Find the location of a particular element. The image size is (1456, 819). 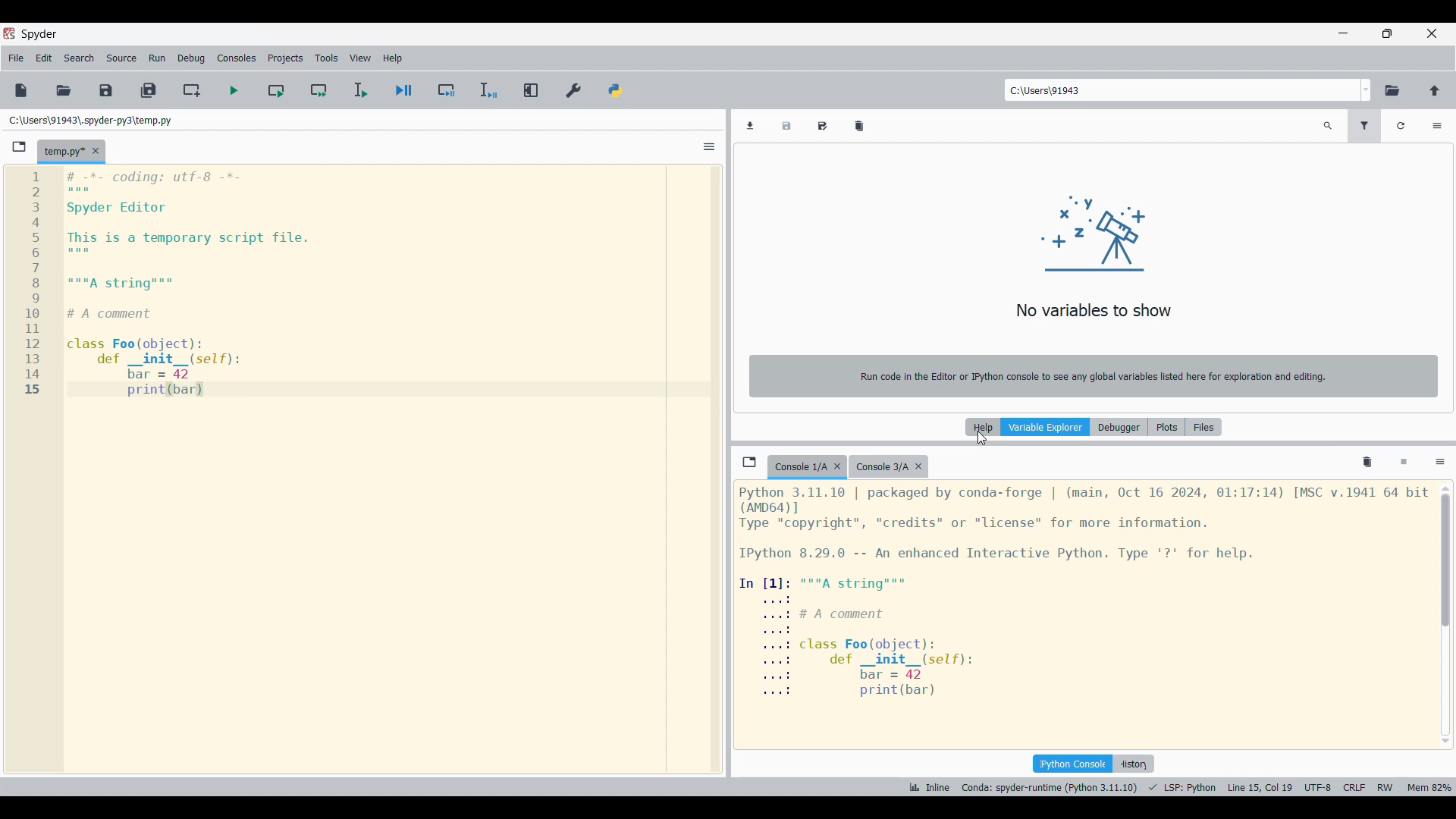

Remove all variables from namespace is located at coordinates (1367, 463).